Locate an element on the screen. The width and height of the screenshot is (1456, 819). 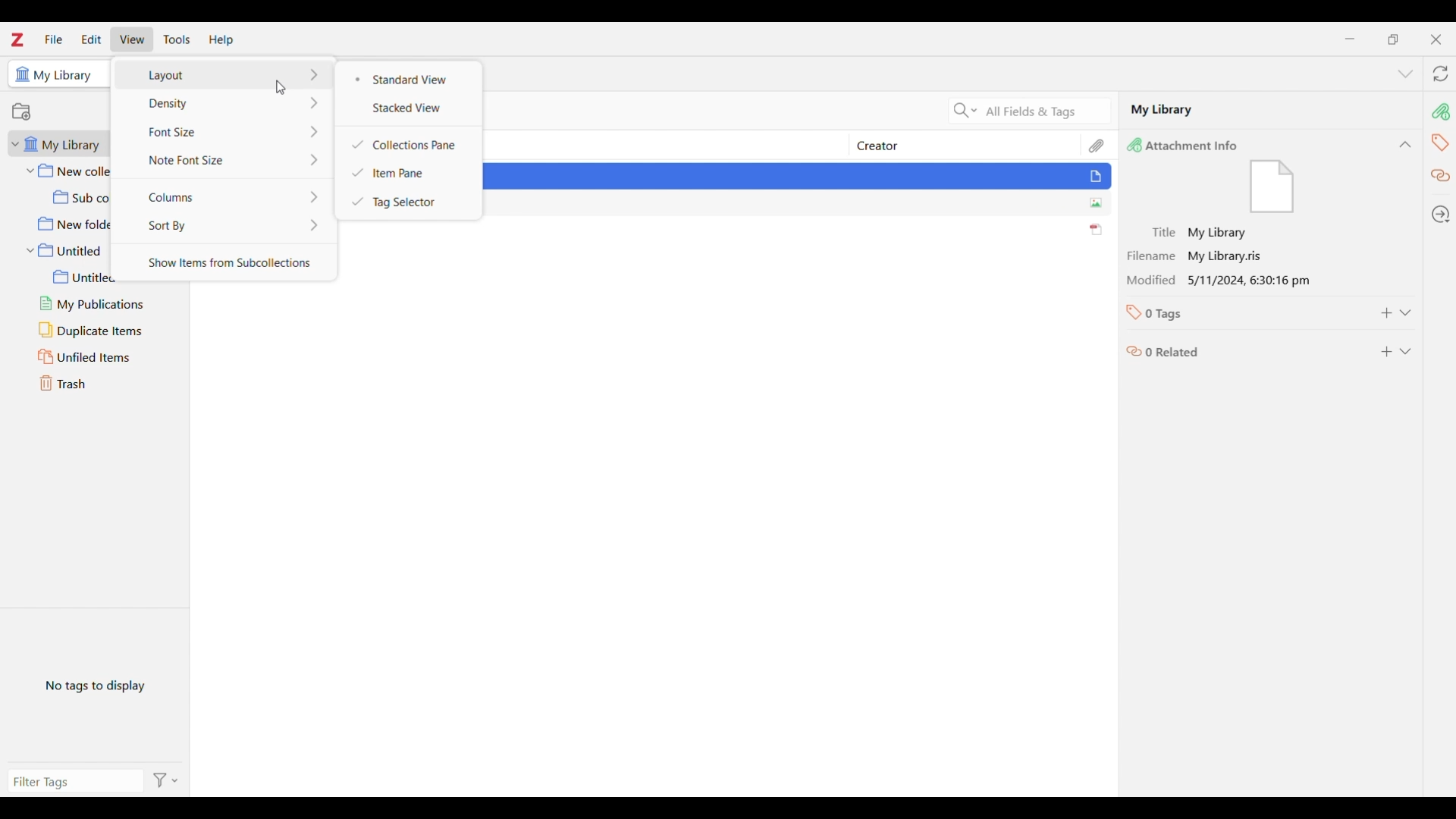
Font size options is located at coordinates (224, 131).